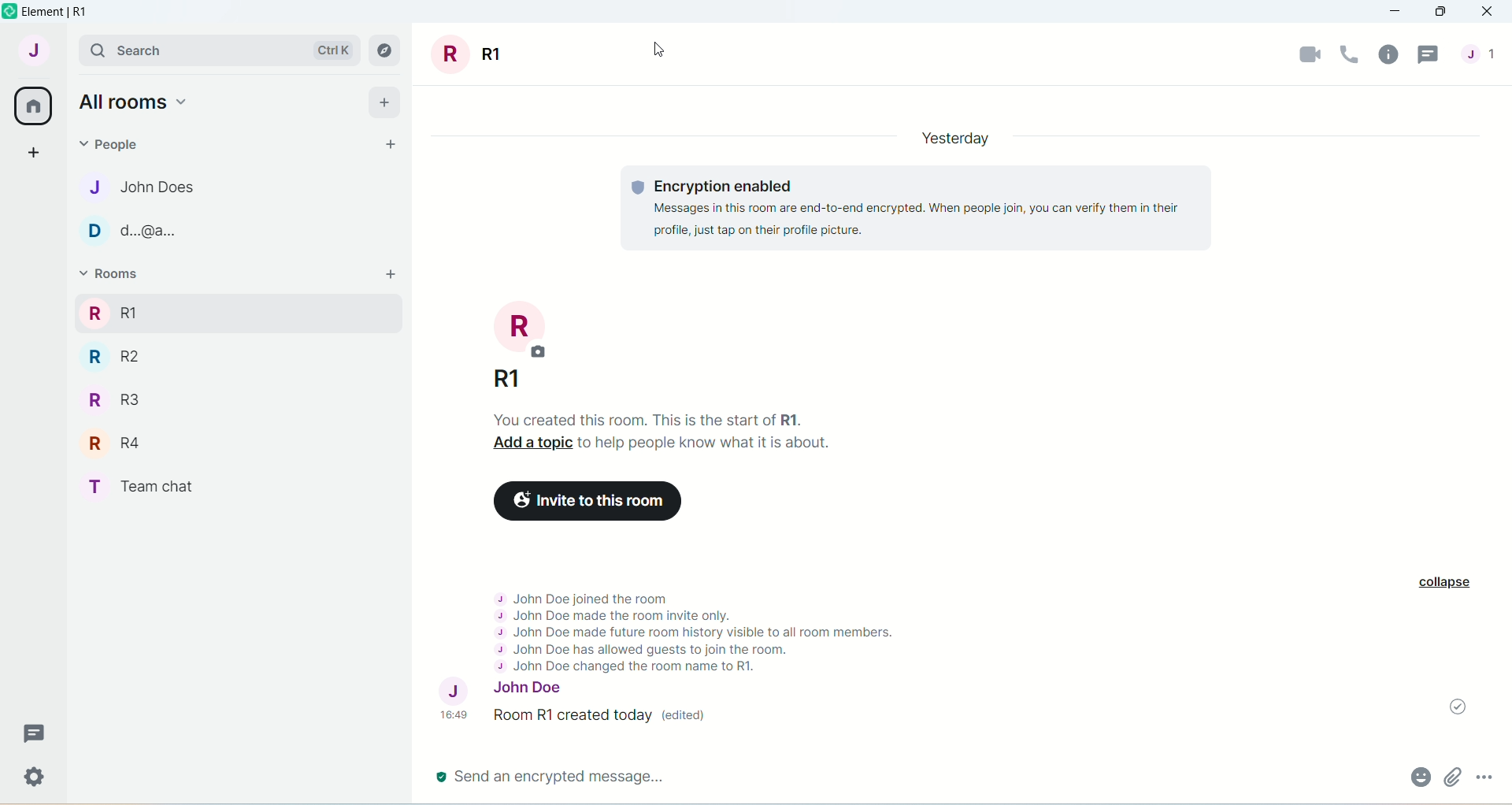 This screenshot has width=1512, height=805. I want to click on A 4

4 John Doe joined the room

4 John Doe made the room invite only.

4 John Doe made future room history visible to all room members
4 John Doe has allowed guests to join the room.

4 John Doe changed the room name to R1., so click(690, 625).